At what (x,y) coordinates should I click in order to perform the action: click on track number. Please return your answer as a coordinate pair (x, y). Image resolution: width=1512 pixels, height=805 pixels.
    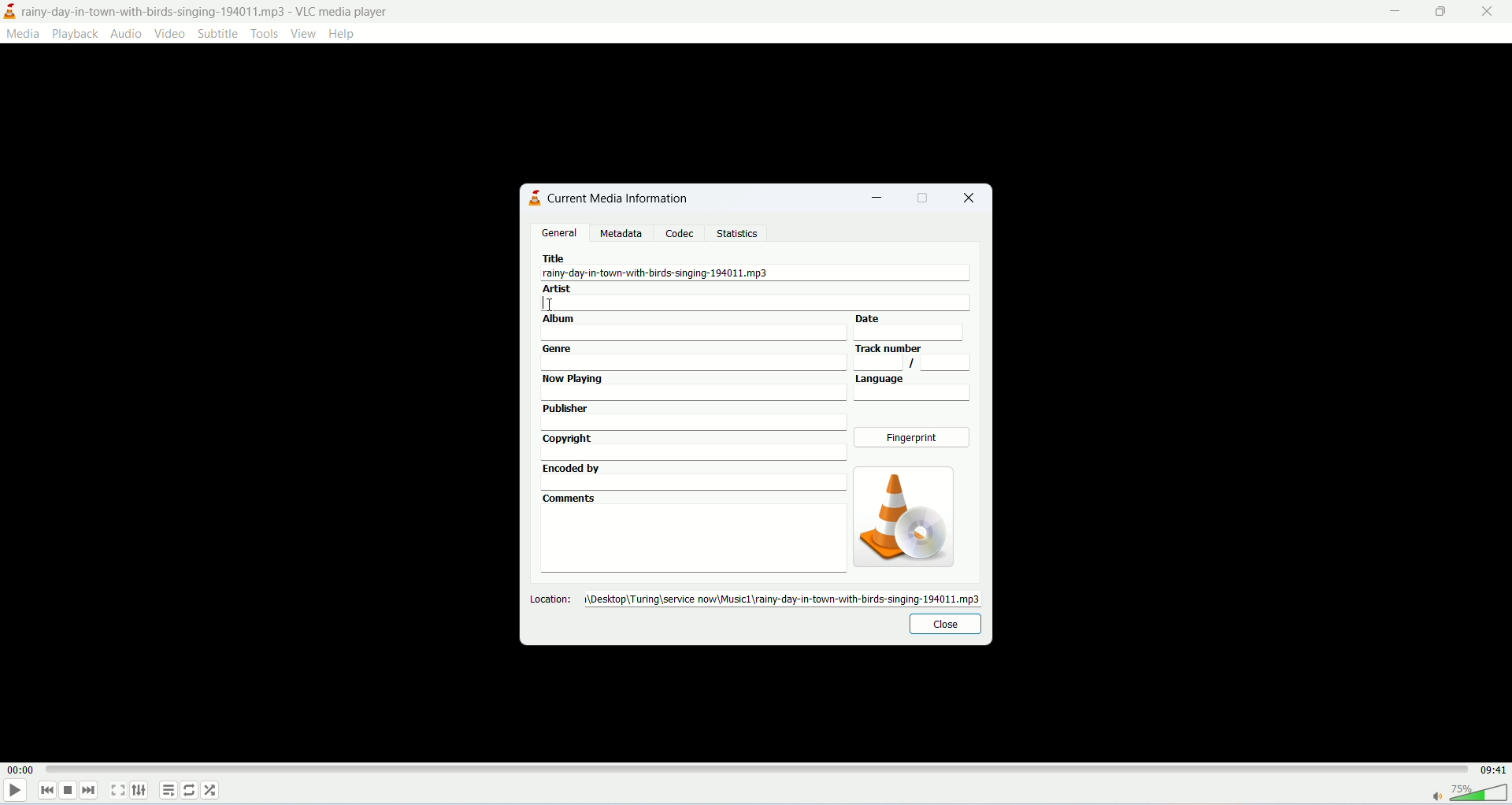
    Looking at the image, I should click on (913, 357).